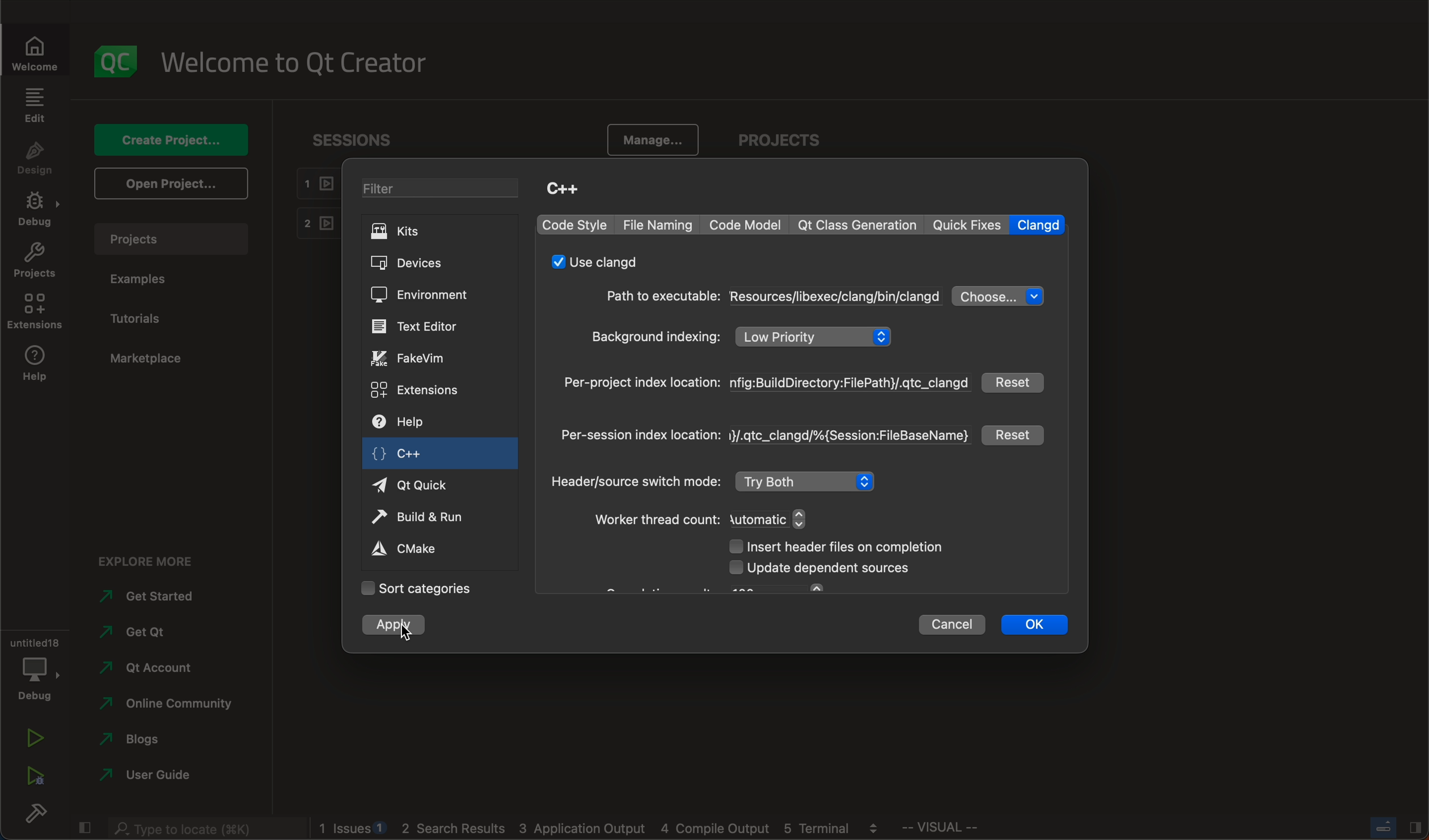 This screenshot has width=1429, height=840. I want to click on file naming, so click(658, 225).